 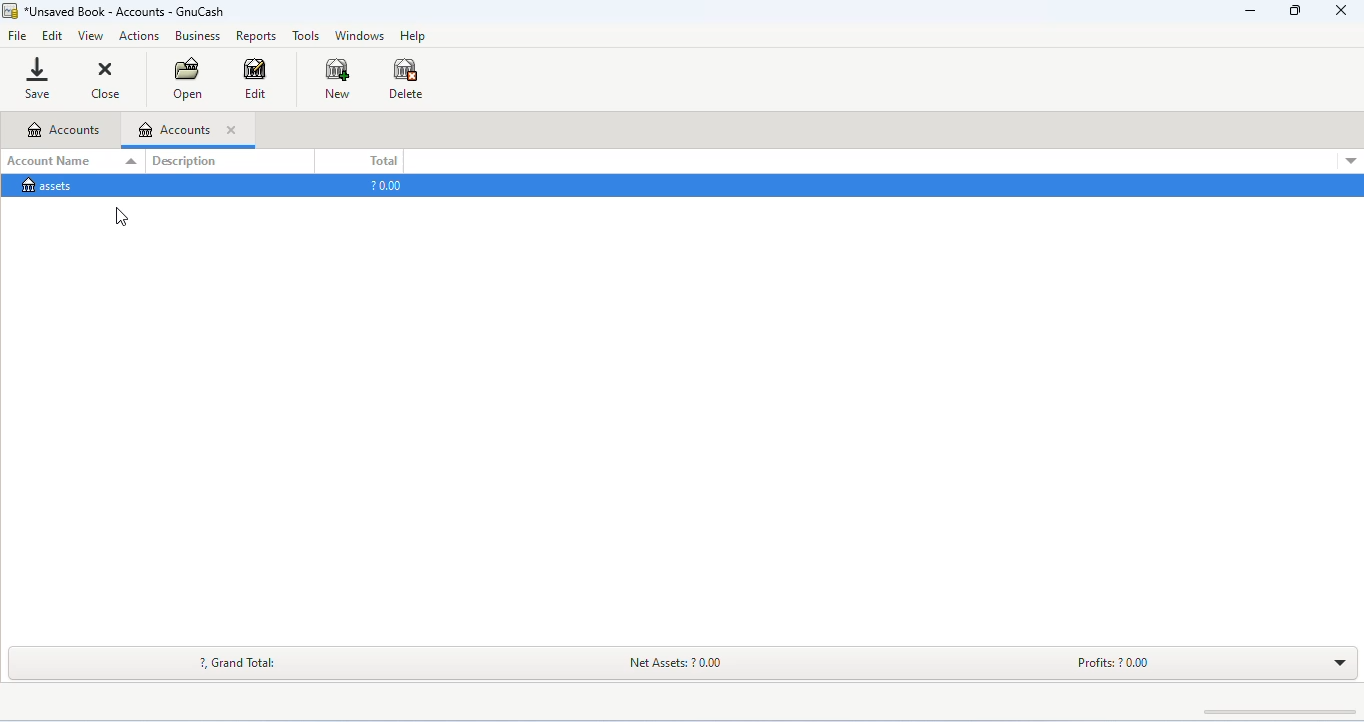 What do you see at coordinates (414, 37) in the screenshot?
I see `help` at bounding box center [414, 37].